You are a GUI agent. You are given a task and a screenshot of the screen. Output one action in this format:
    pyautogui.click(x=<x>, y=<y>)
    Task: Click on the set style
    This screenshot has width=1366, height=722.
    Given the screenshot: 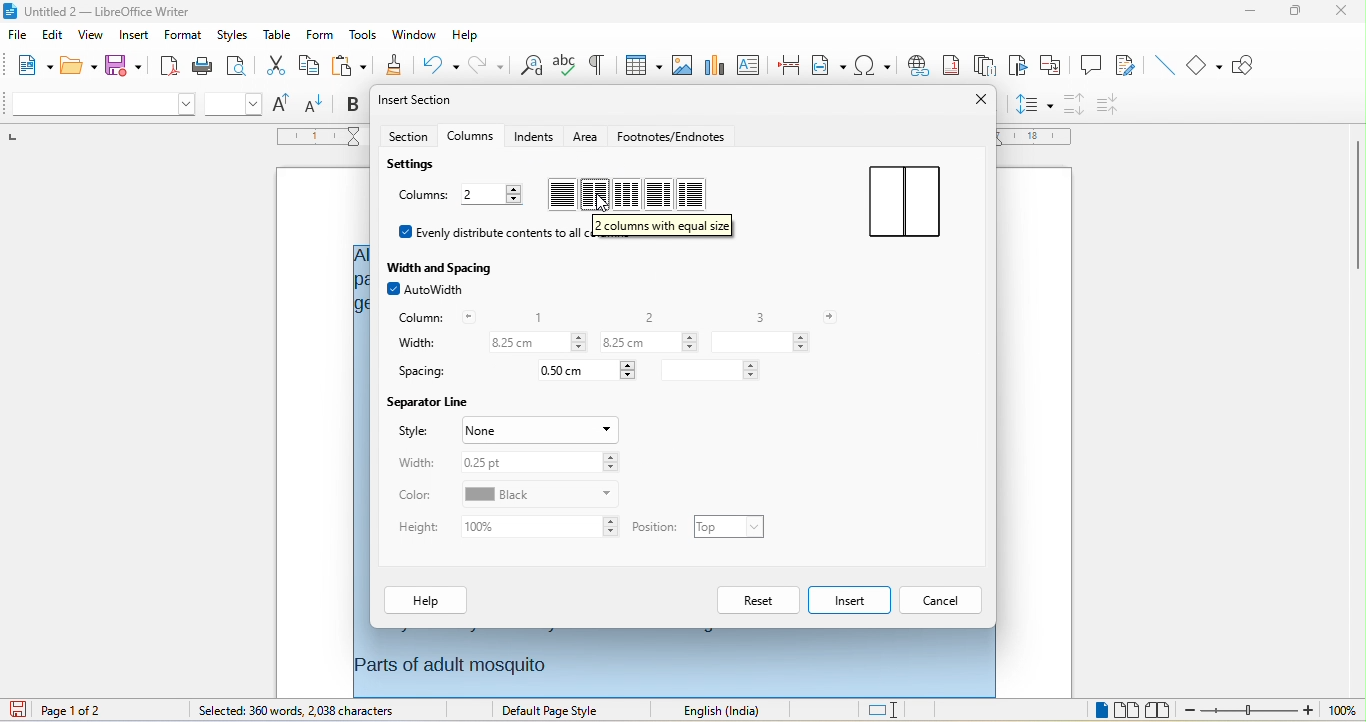 What is the action you would take?
    pyautogui.click(x=540, y=428)
    